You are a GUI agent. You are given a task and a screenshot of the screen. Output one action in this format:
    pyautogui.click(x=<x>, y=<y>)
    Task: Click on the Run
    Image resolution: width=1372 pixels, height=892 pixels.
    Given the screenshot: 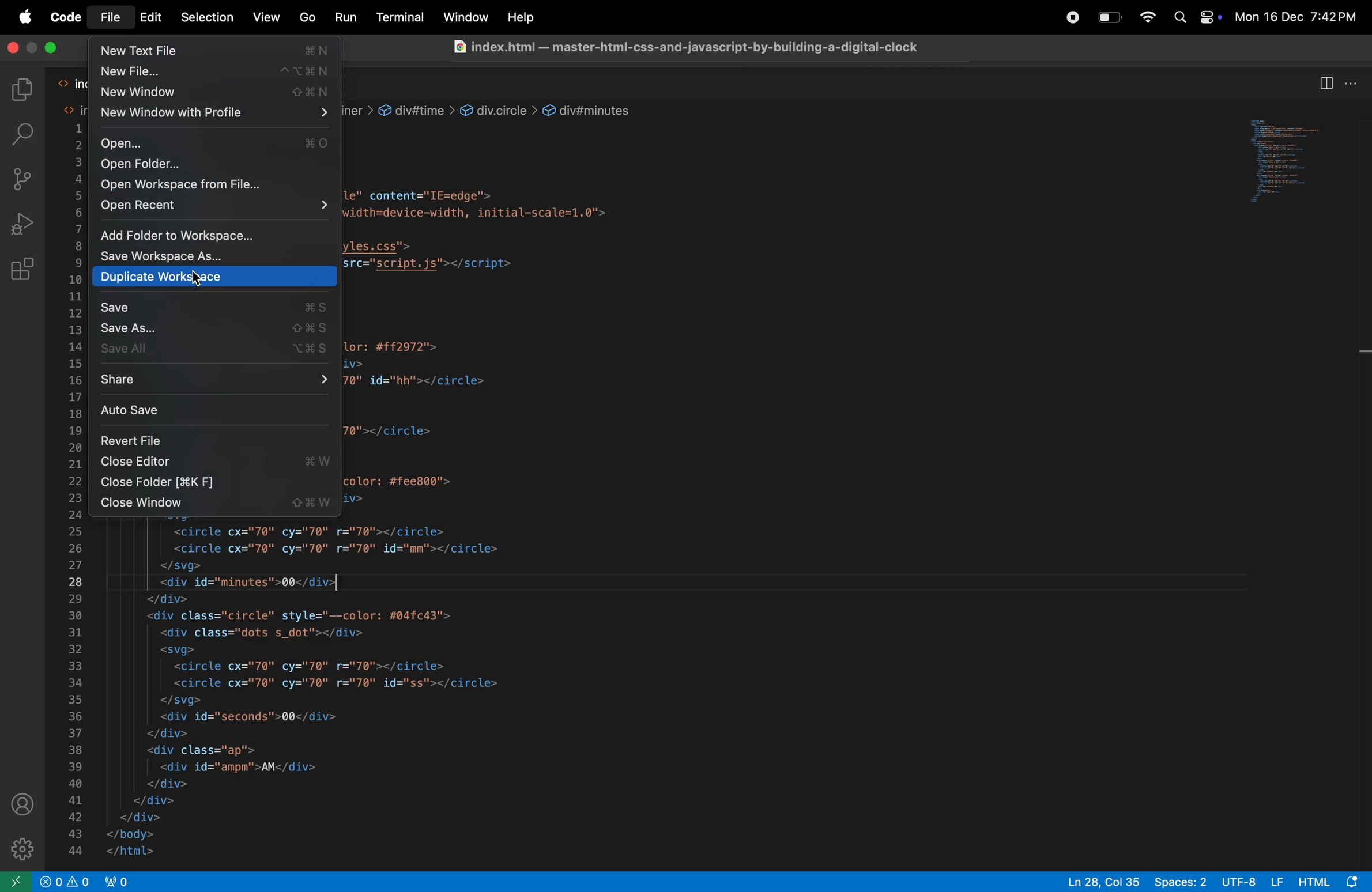 What is the action you would take?
    pyautogui.click(x=348, y=16)
    